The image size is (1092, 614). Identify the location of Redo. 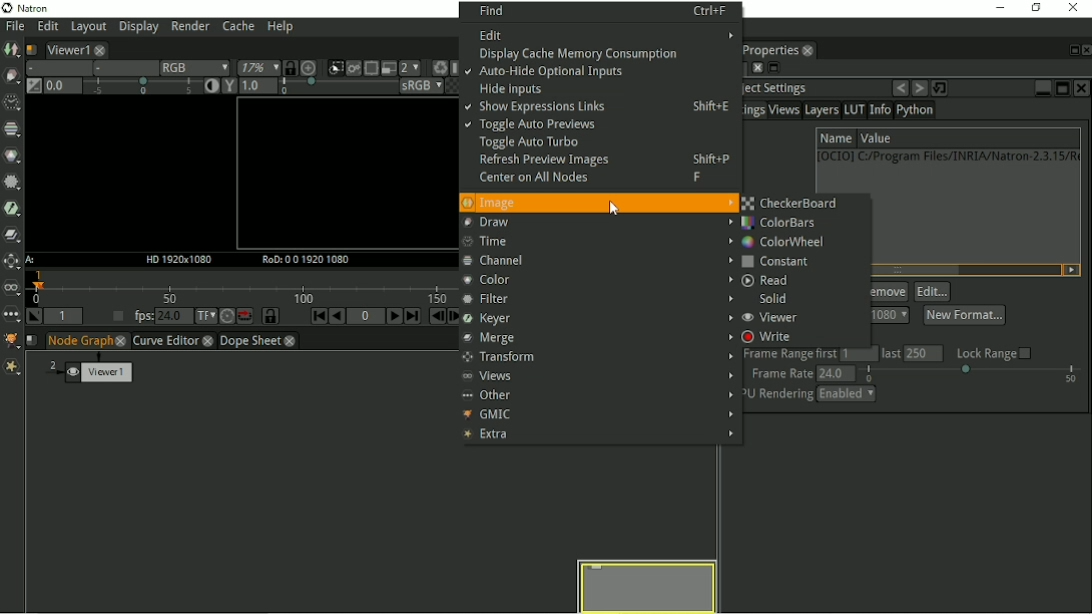
(919, 88).